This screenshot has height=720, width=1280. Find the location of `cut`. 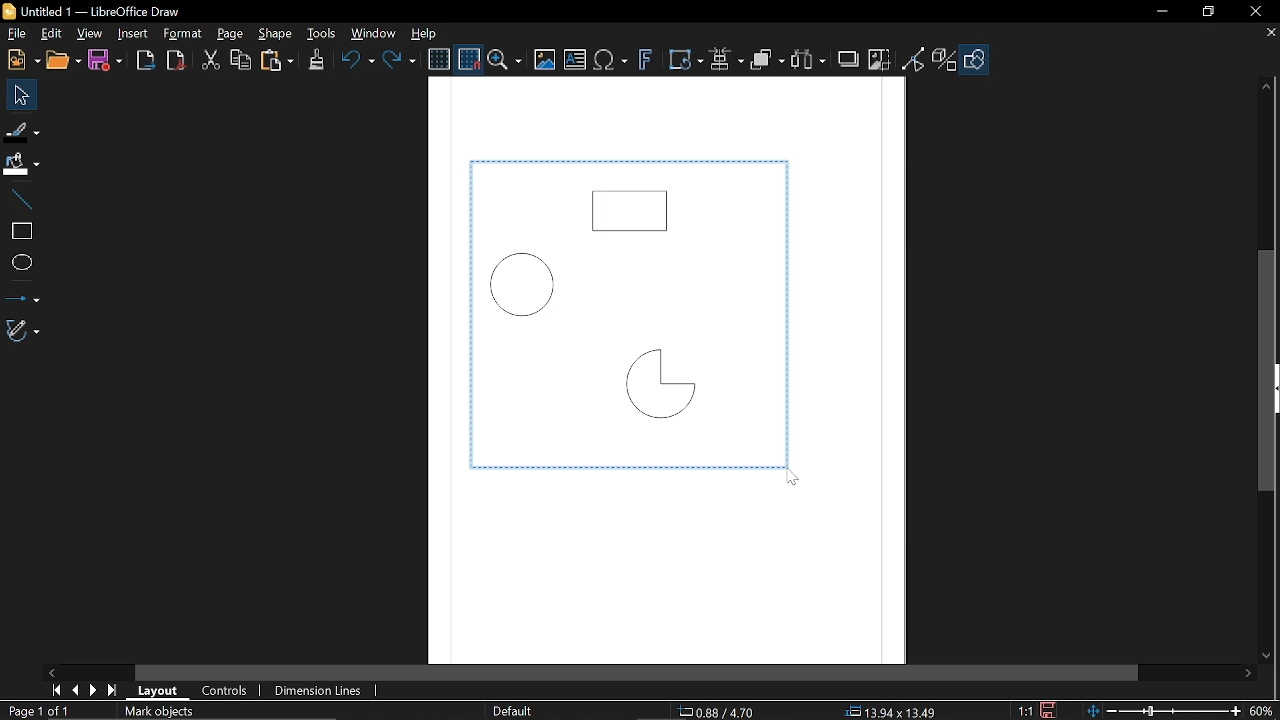

cut is located at coordinates (210, 59).